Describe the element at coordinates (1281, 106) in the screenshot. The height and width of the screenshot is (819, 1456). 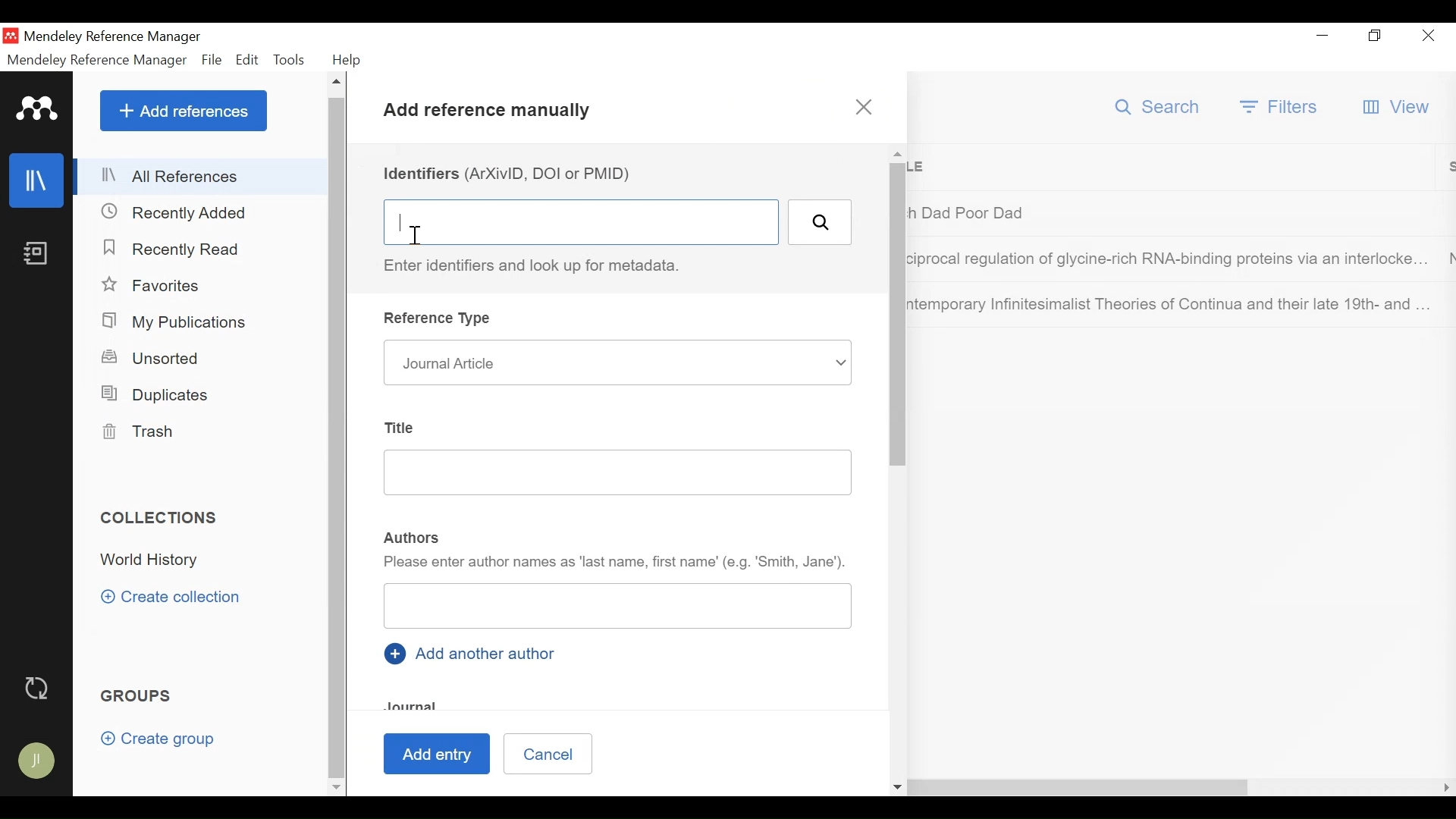
I see `Filter` at that location.